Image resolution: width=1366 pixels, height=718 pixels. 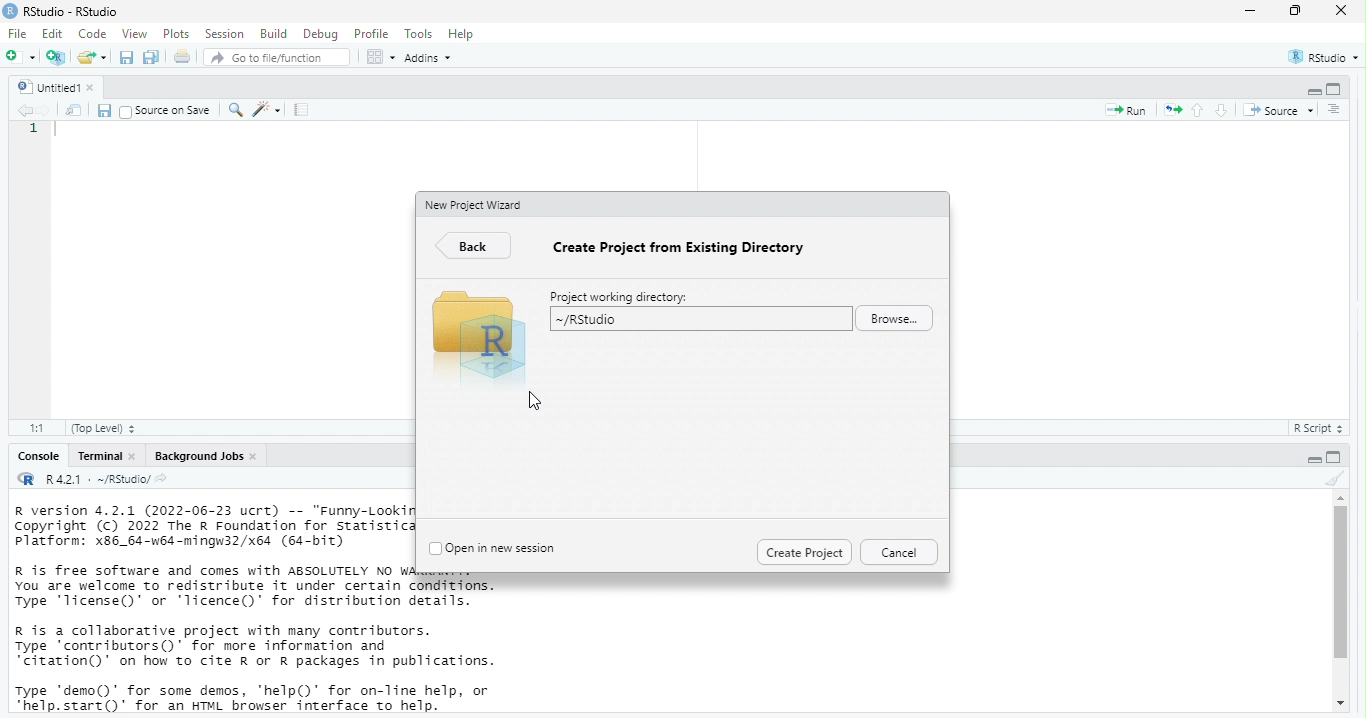 I want to click on Background jobs, so click(x=196, y=456).